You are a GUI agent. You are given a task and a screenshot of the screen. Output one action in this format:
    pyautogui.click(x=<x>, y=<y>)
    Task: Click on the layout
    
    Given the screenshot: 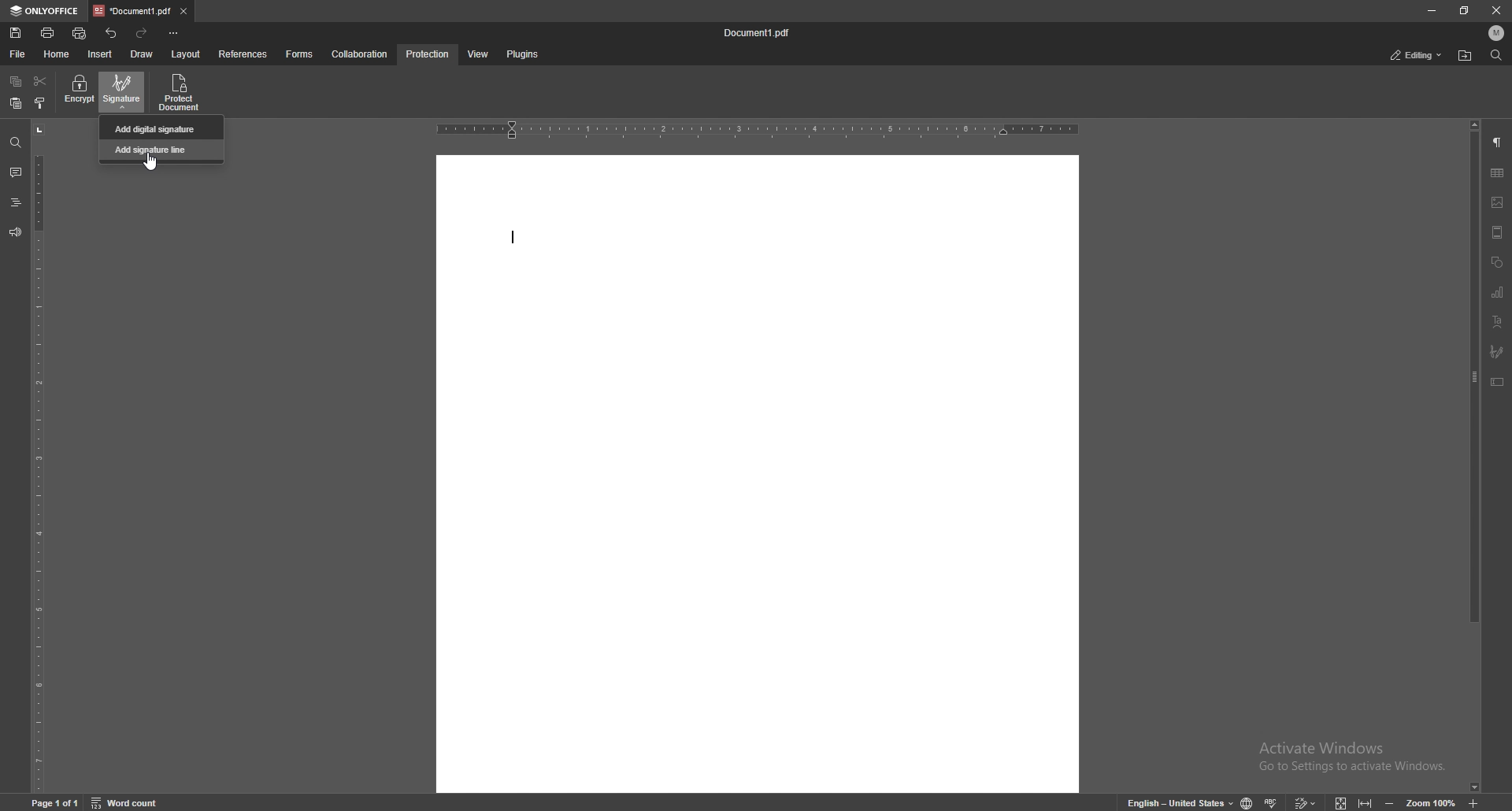 What is the action you would take?
    pyautogui.click(x=185, y=55)
    